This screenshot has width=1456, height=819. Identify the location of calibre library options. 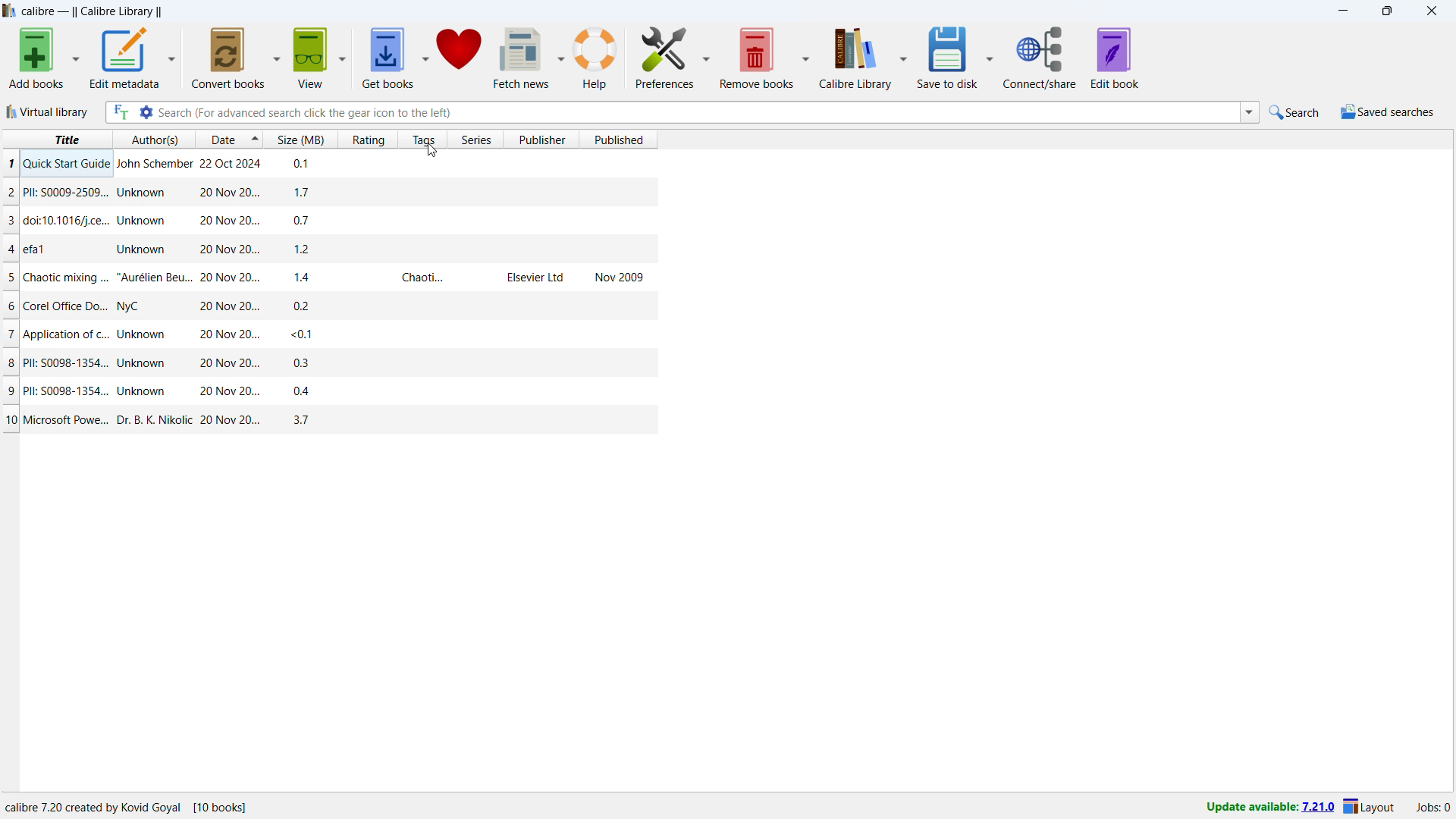
(905, 57).